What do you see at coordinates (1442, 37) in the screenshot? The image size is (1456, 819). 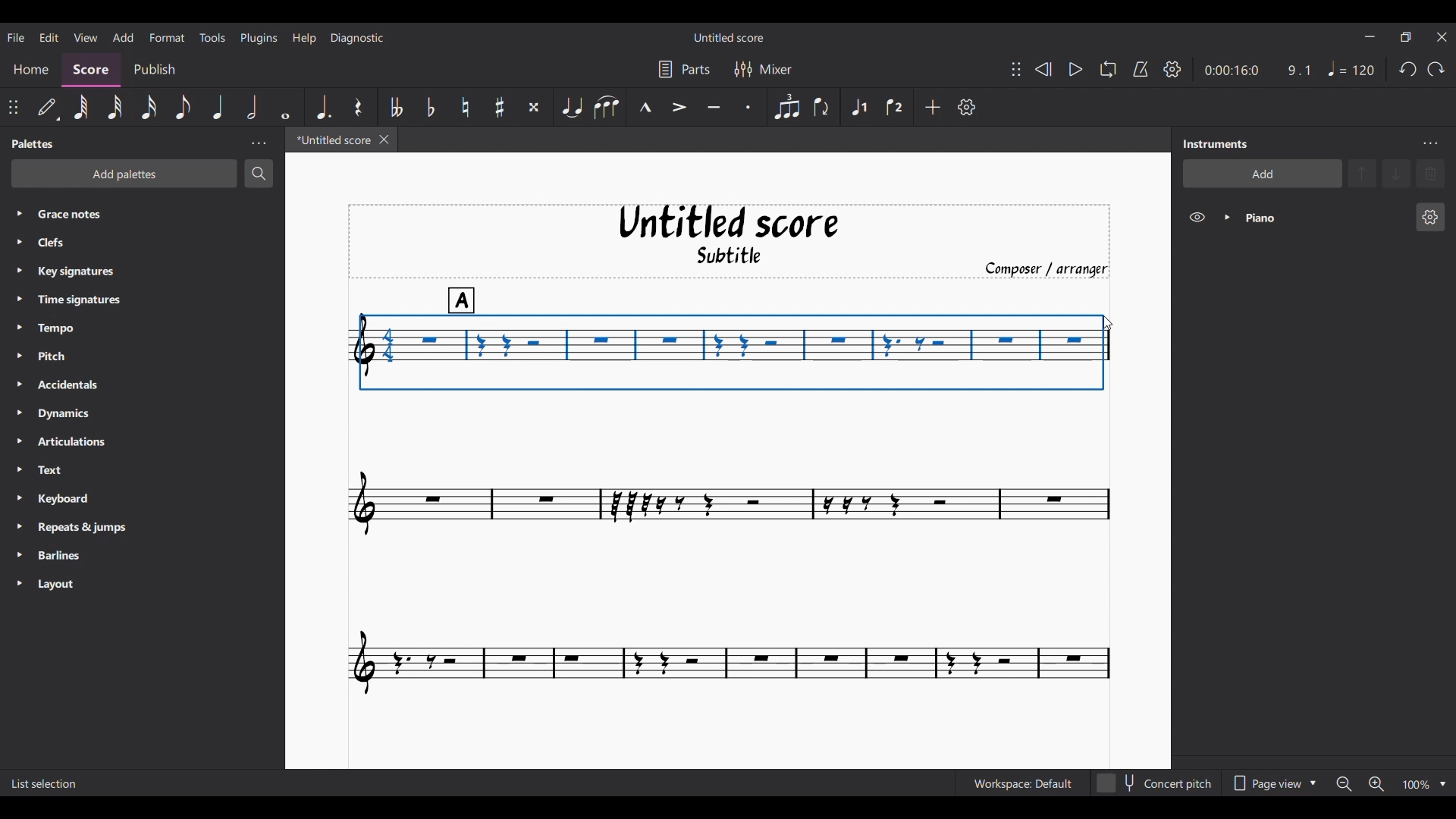 I see `Close interface` at bounding box center [1442, 37].